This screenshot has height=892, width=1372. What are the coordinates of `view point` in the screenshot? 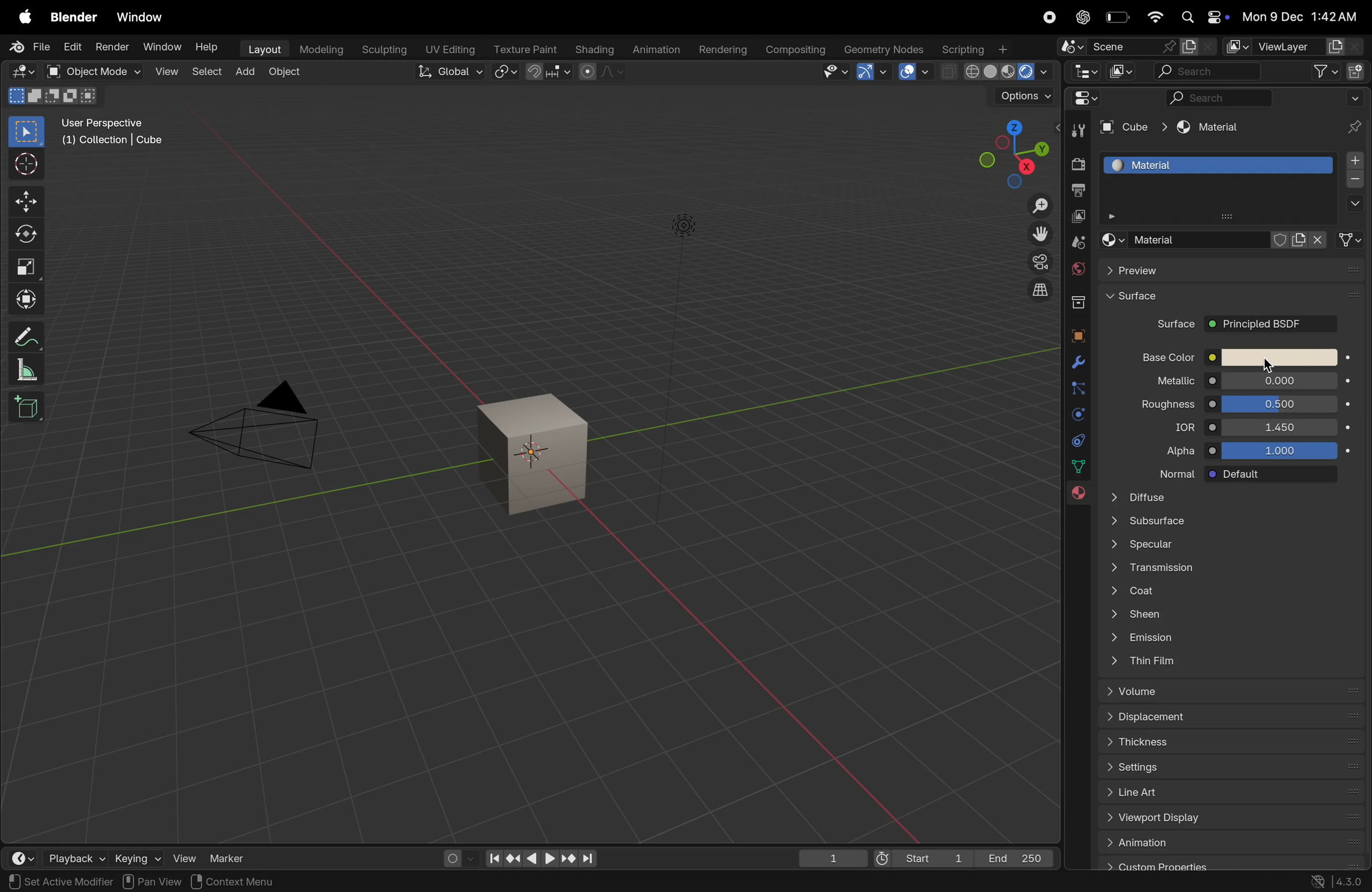 It's located at (1006, 150).